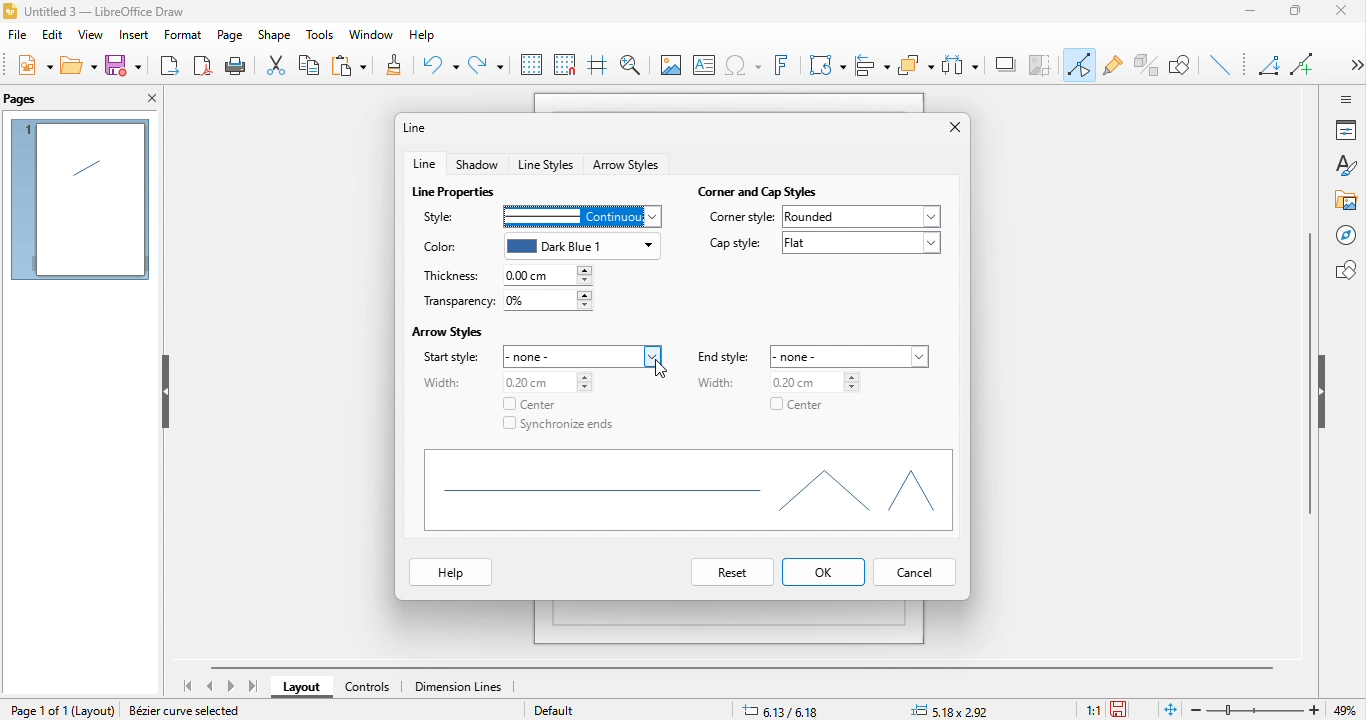 This screenshot has height=720, width=1366. Describe the element at coordinates (688, 488) in the screenshot. I see `shapes` at that location.